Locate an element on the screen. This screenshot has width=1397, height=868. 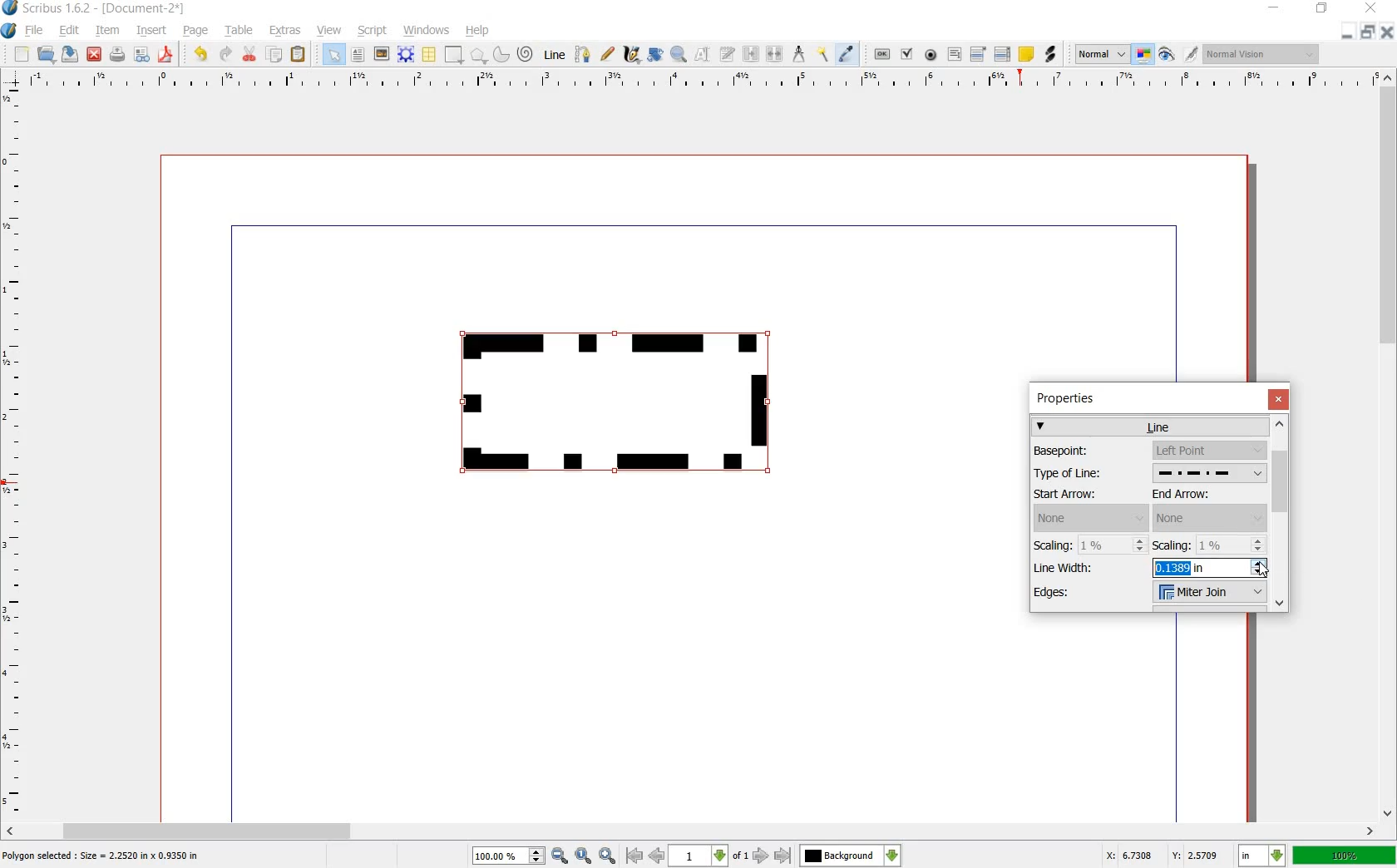
select the current layer is located at coordinates (851, 856).